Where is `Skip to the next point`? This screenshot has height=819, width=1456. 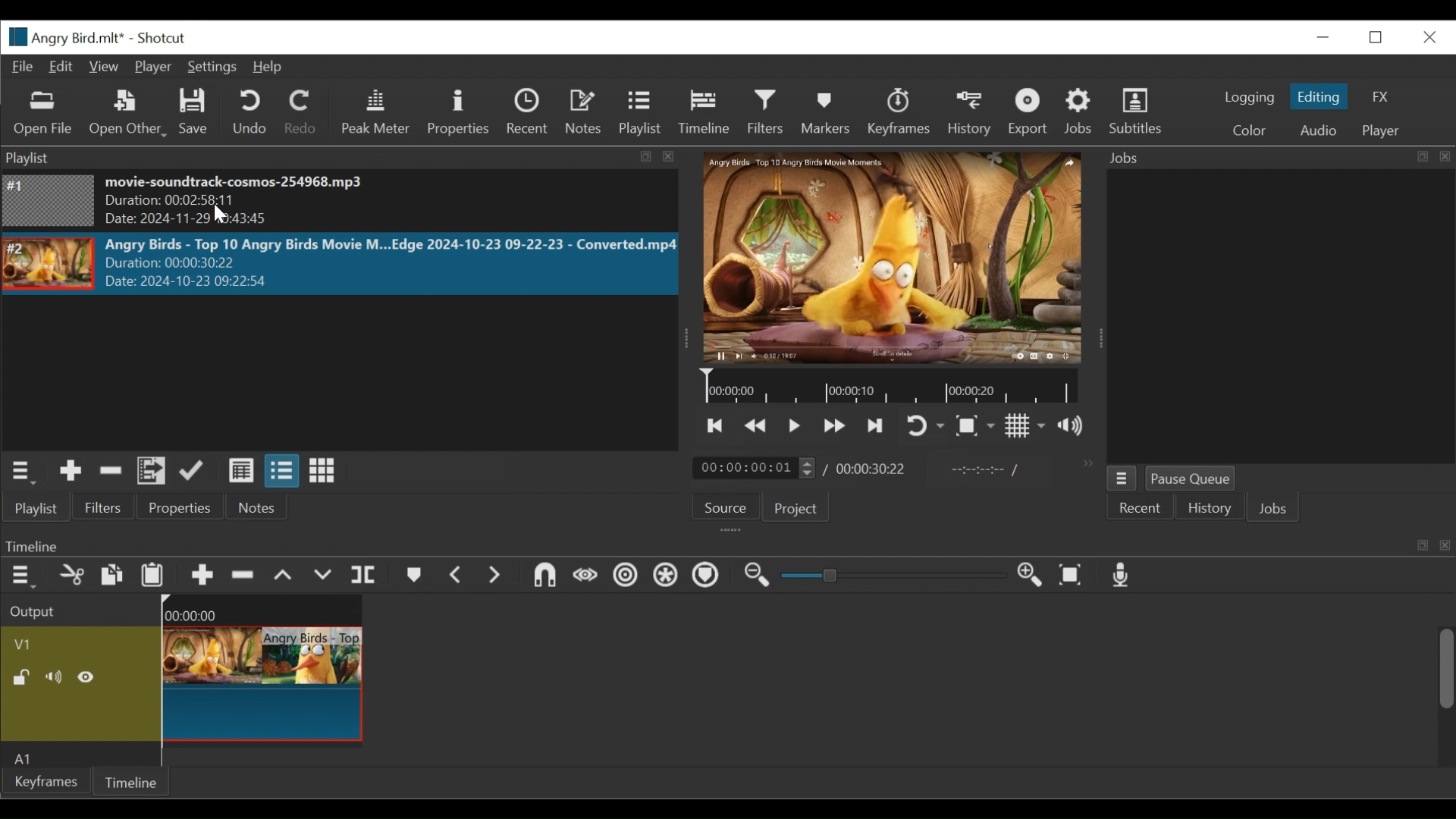
Skip to the next point is located at coordinates (877, 426).